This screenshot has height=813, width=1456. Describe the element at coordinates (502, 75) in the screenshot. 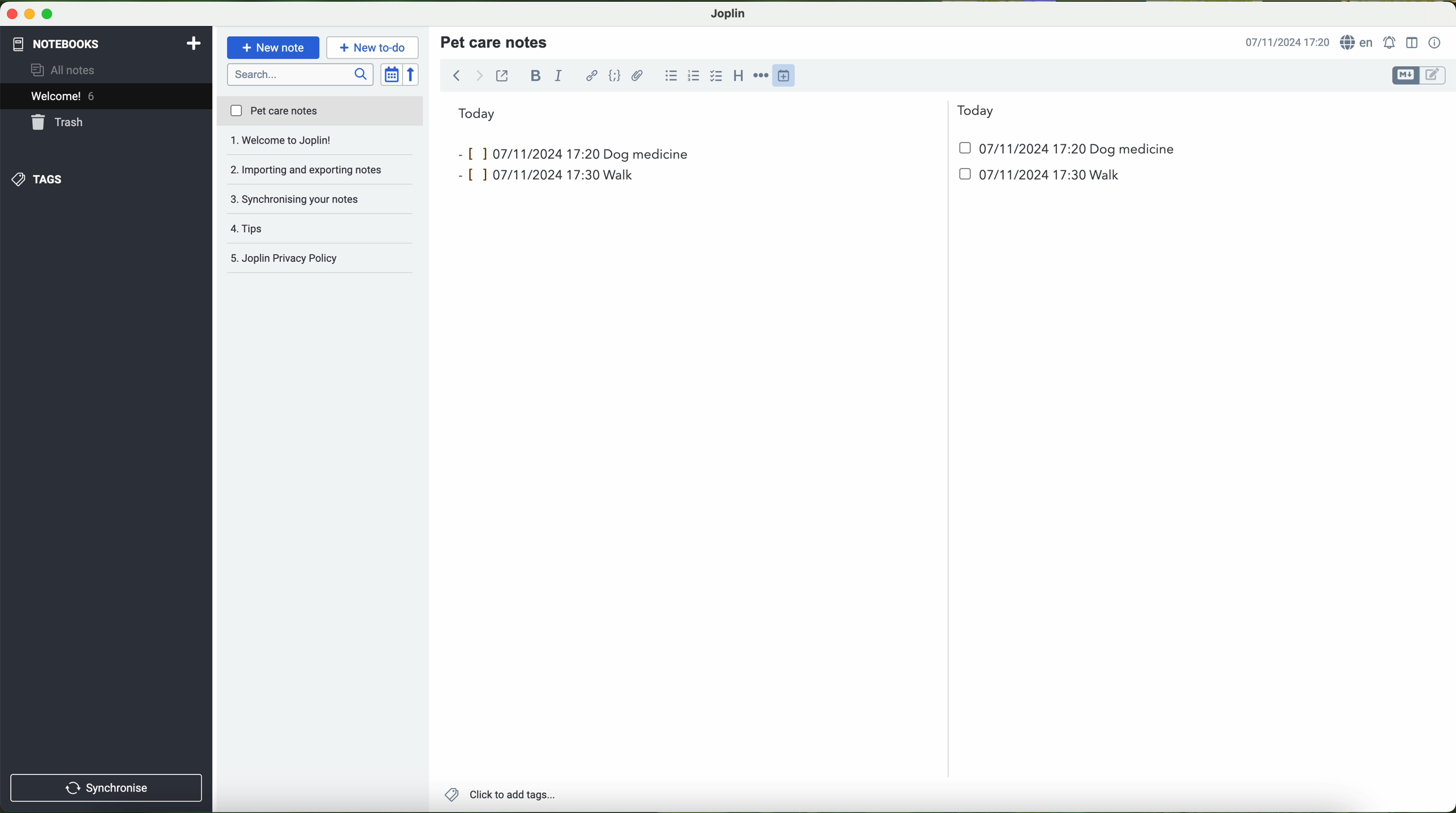

I see `toggle external editing` at that location.